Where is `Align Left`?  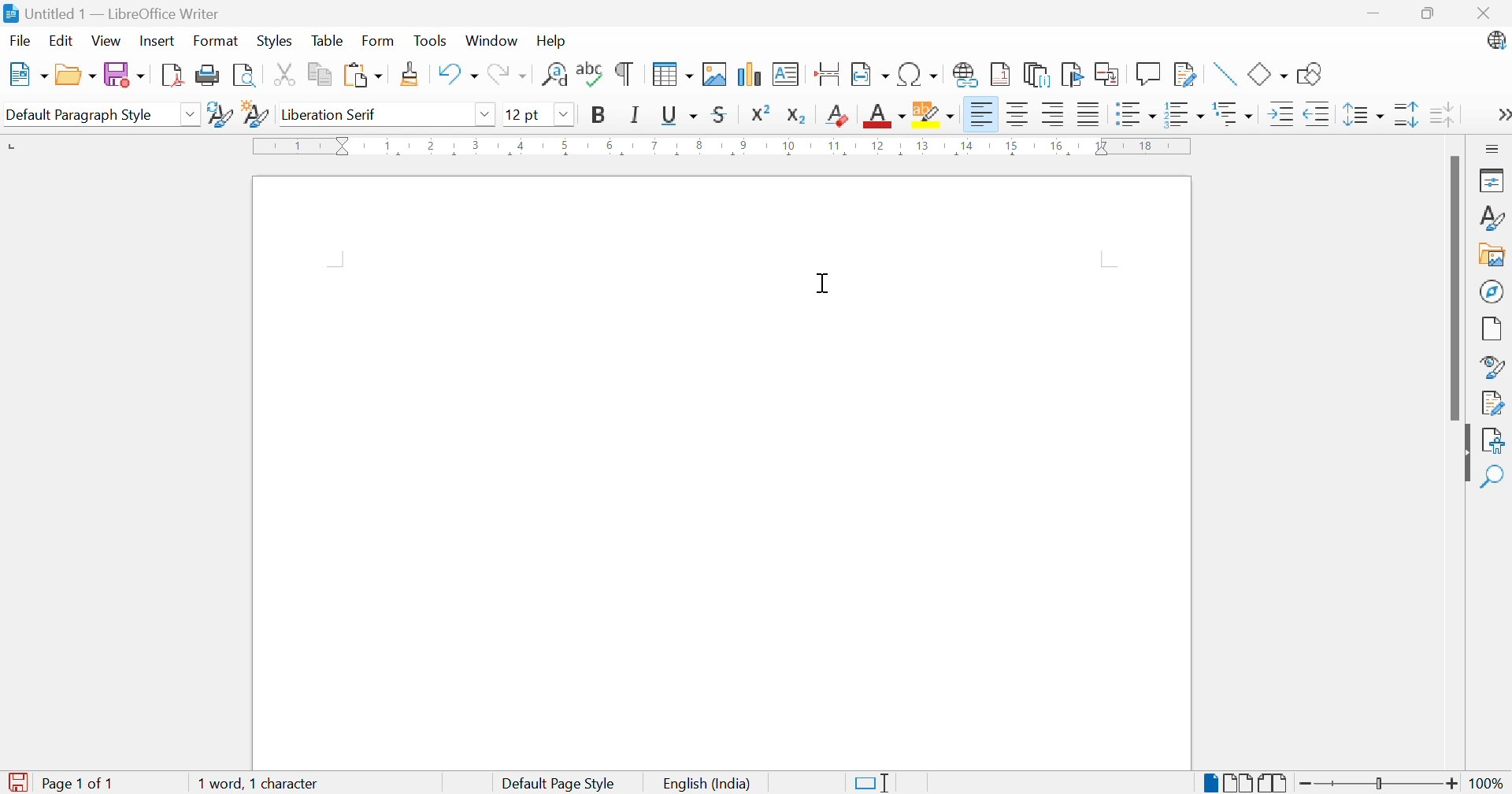 Align Left is located at coordinates (980, 114).